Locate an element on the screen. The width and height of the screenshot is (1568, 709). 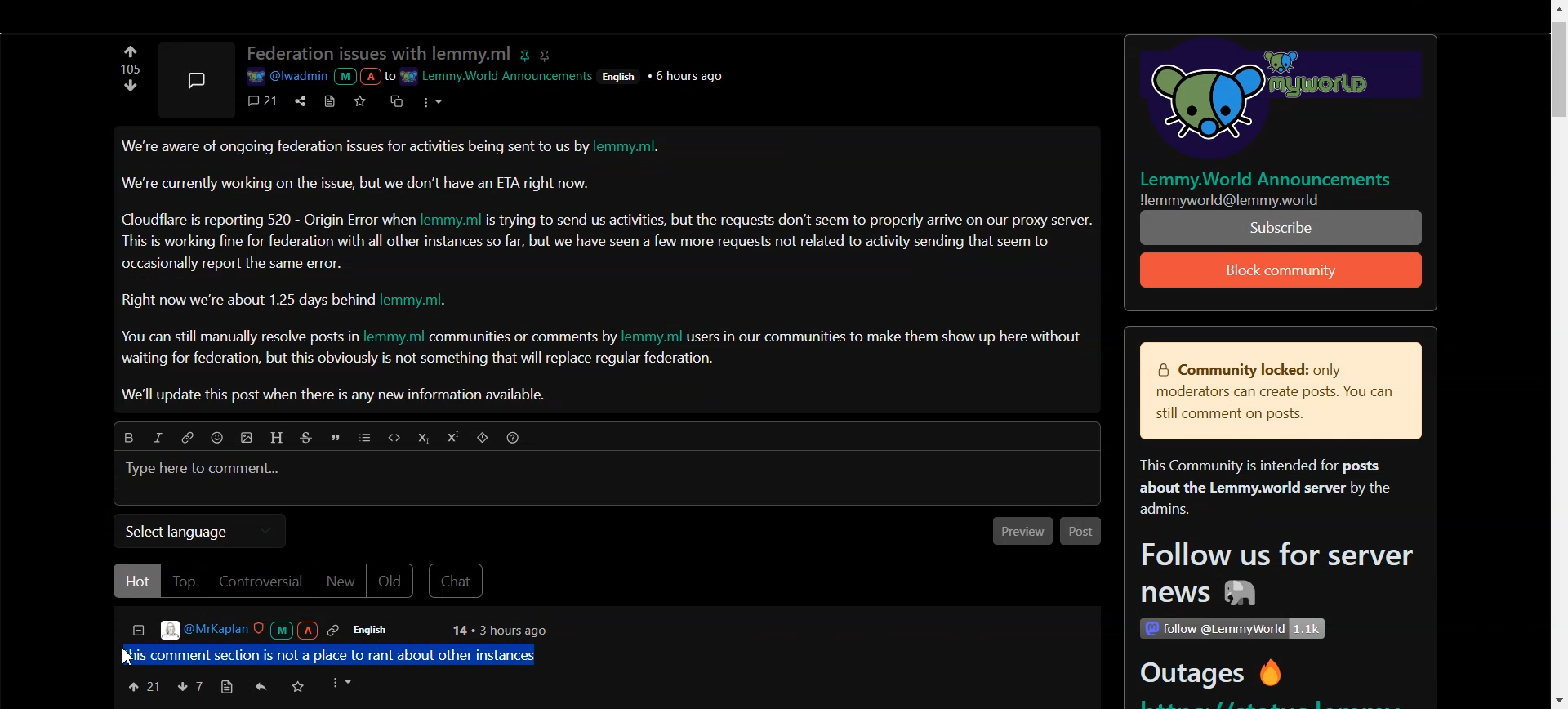
Upvote is located at coordinates (143, 685).